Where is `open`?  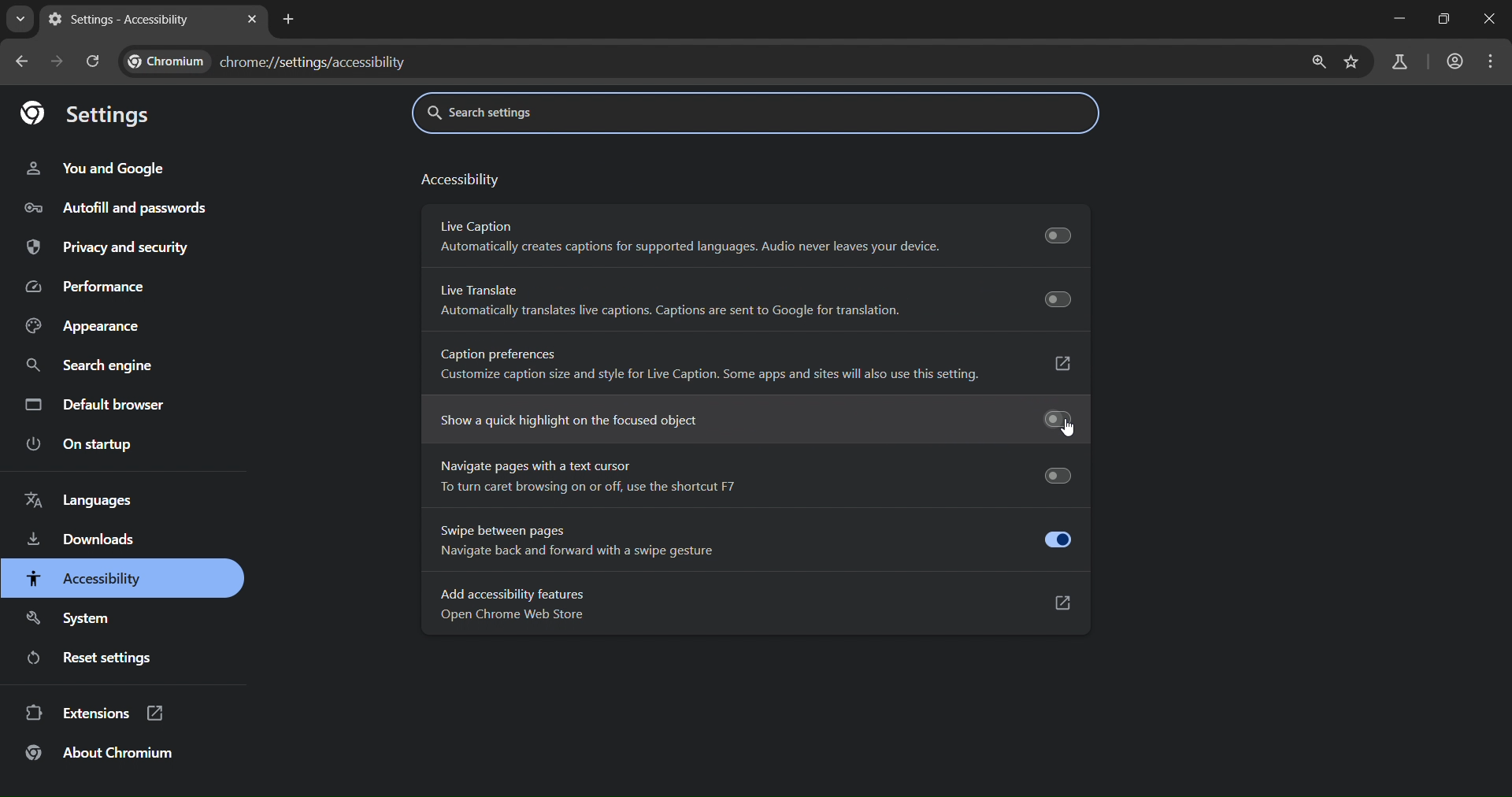 open is located at coordinates (1065, 605).